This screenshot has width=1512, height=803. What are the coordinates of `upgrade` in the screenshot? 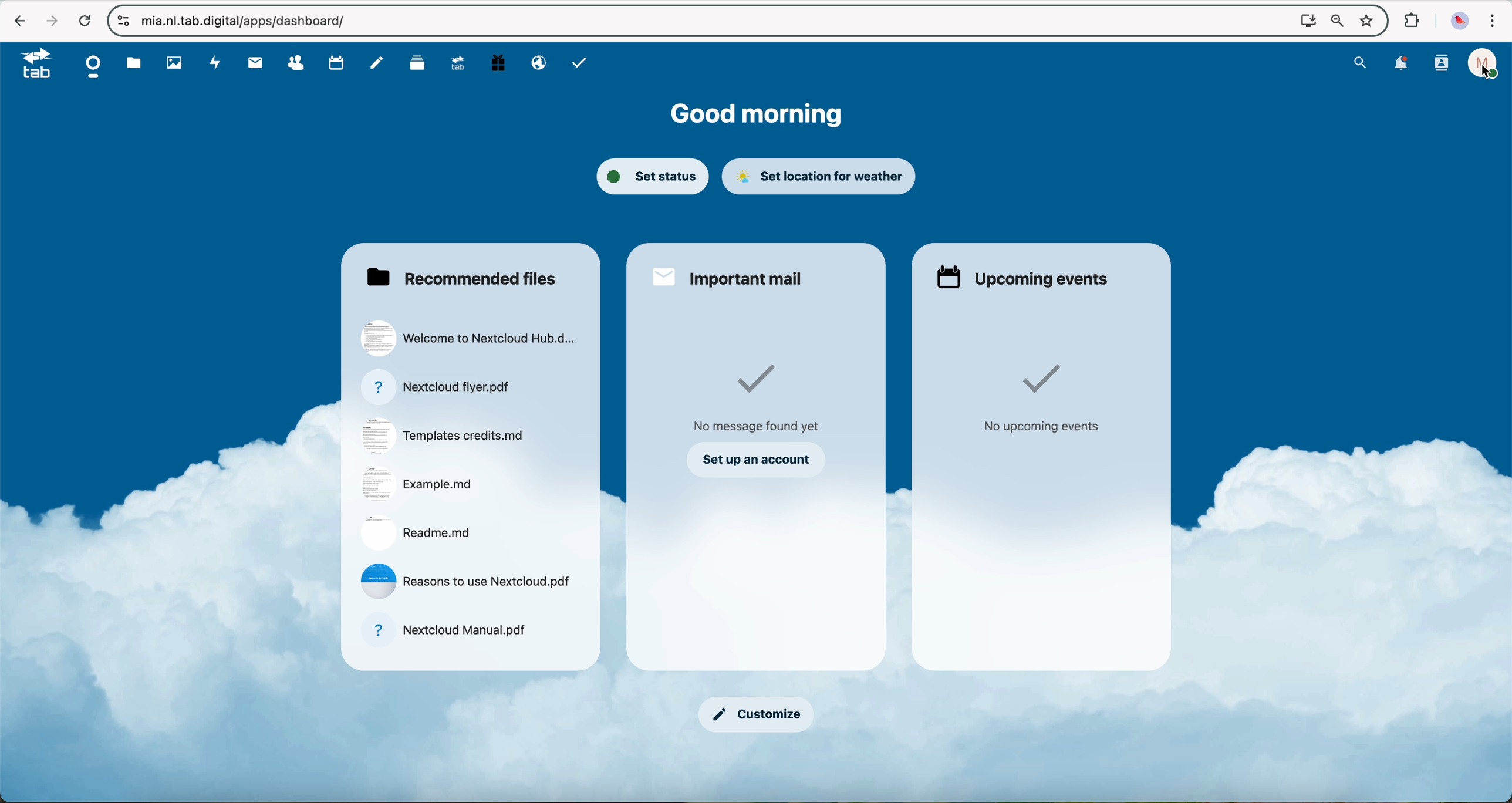 It's located at (462, 65).